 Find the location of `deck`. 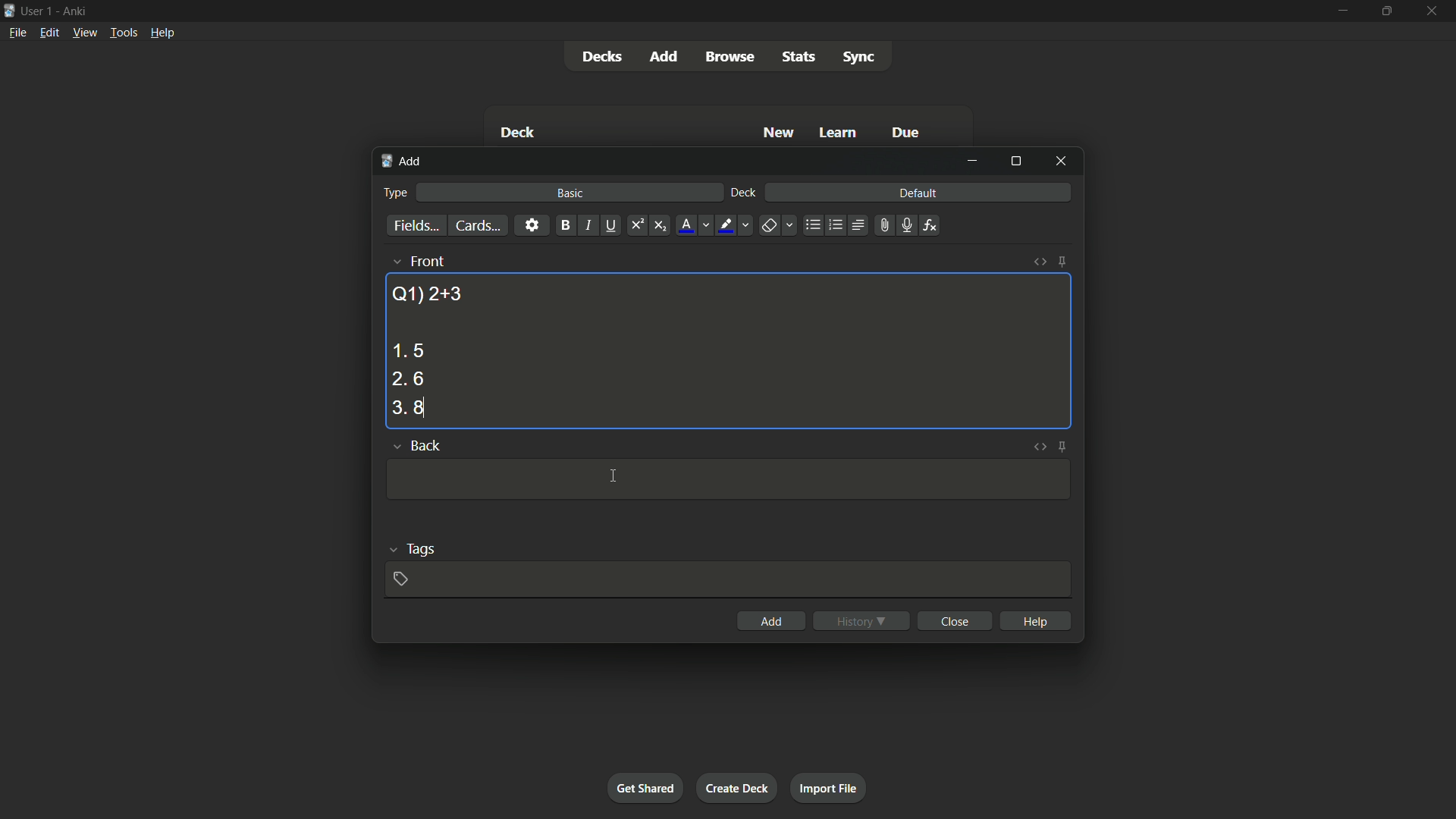

deck is located at coordinates (744, 193).